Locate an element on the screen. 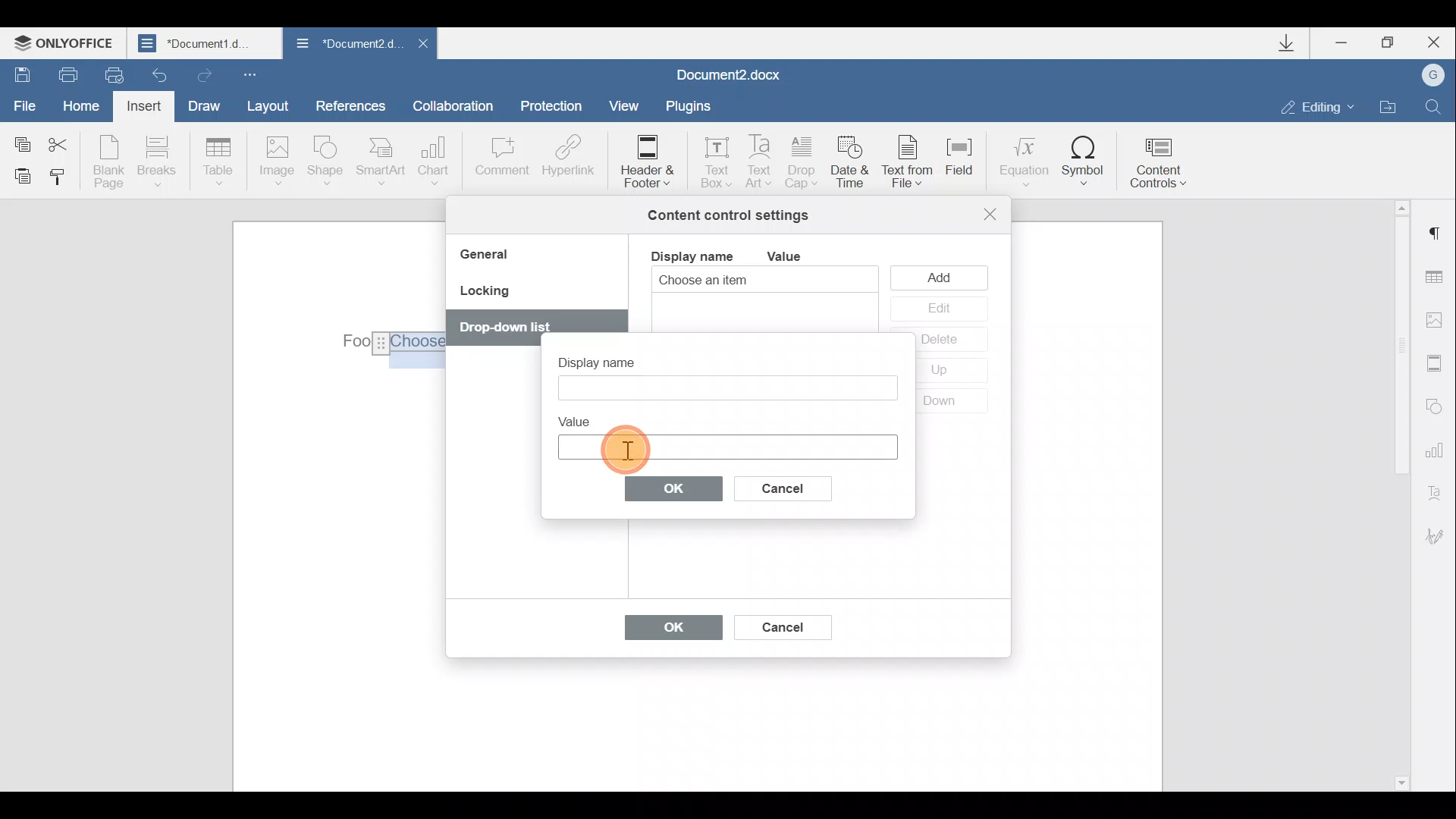 The width and height of the screenshot is (1456, 819). Home is located at coordinates (86, 108).